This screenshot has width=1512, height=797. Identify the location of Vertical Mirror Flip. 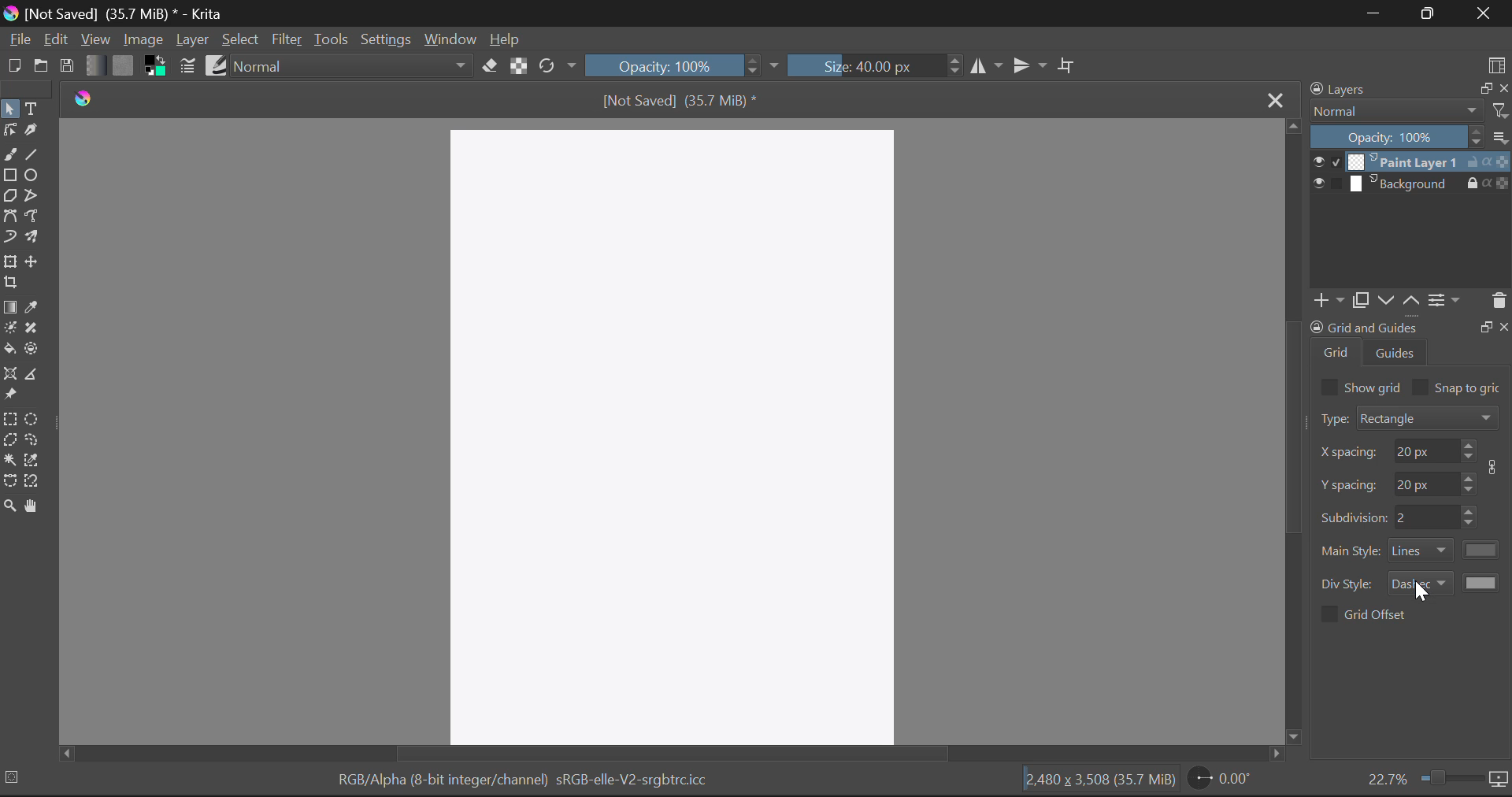
(987, 67).